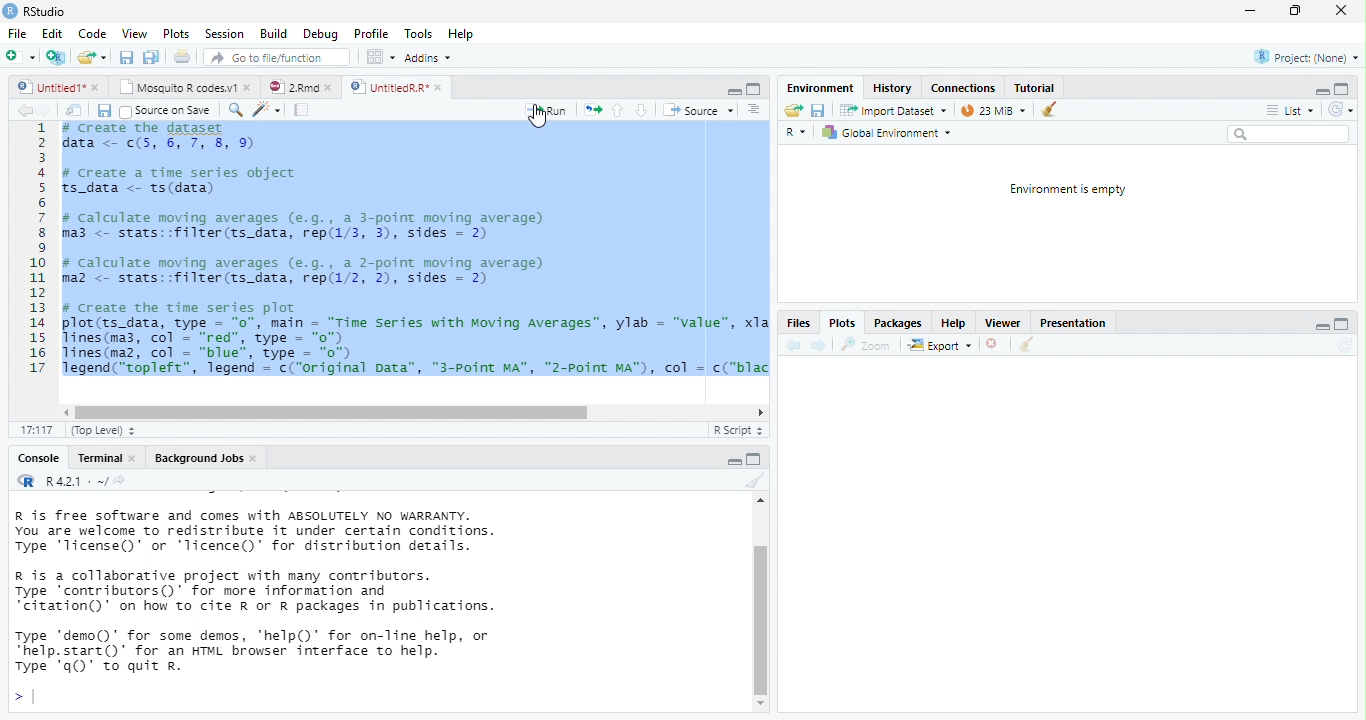  Describe the element at coordinates (1341, 110) in the screenshot. I see `Refresh` at that location.